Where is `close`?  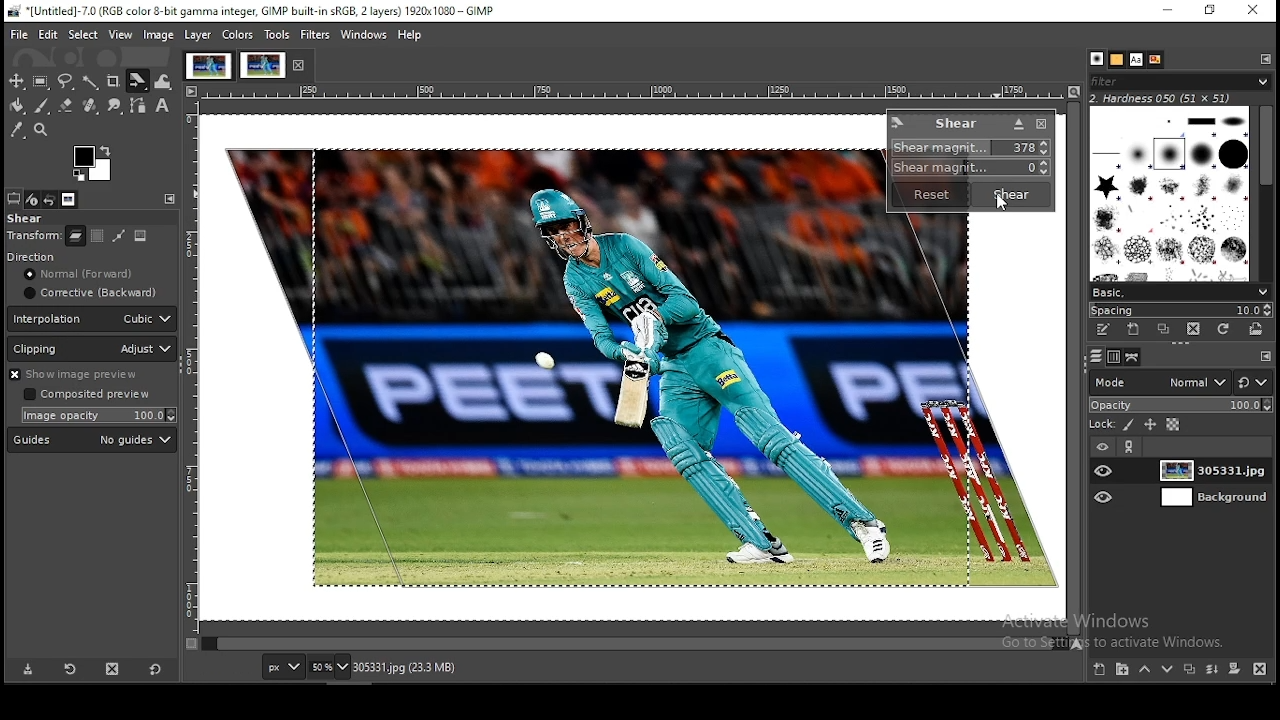
close is located at coordinates (301, 66).